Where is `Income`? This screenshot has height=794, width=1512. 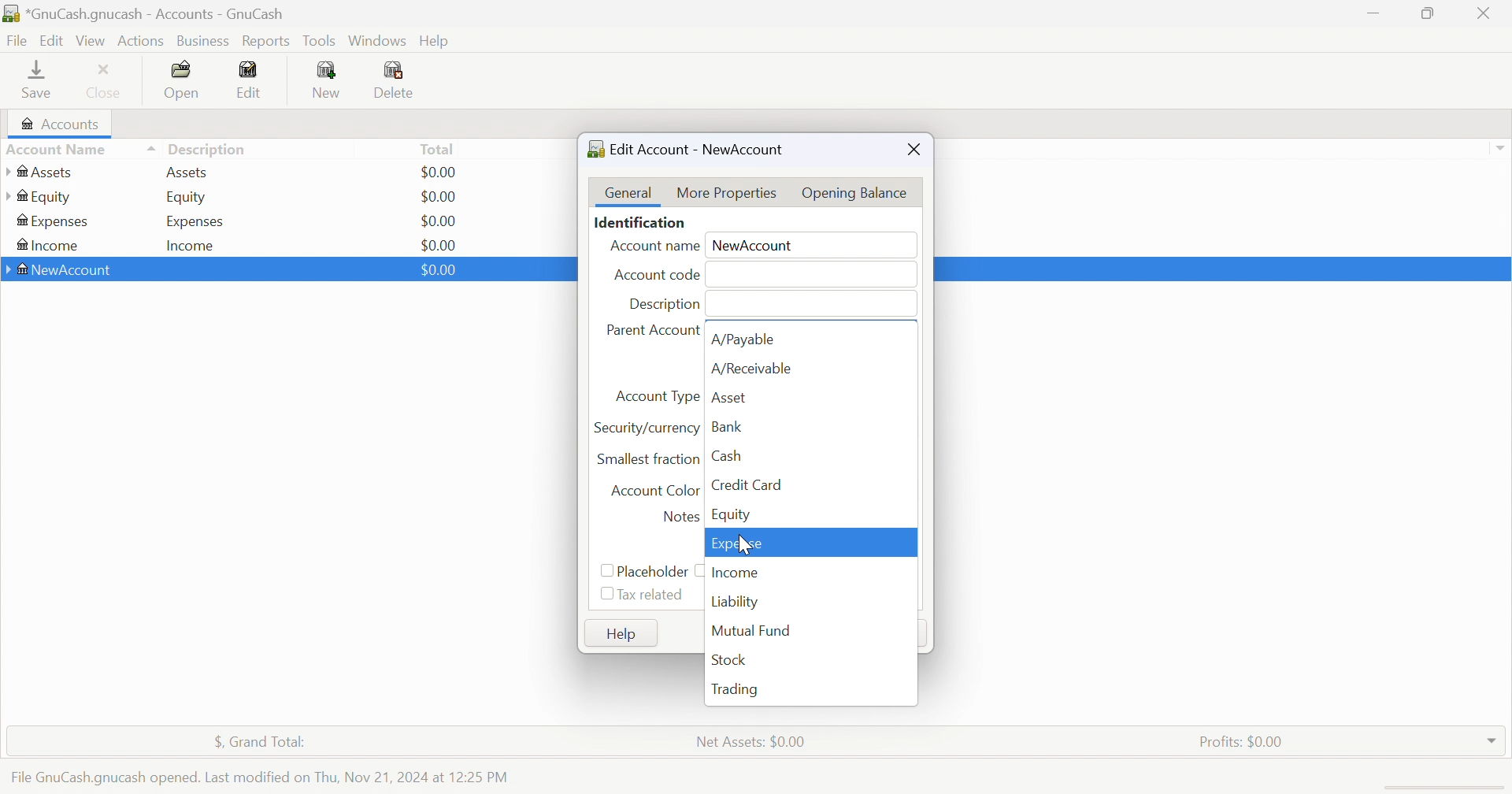
Income is located at coordinates (735, 573).